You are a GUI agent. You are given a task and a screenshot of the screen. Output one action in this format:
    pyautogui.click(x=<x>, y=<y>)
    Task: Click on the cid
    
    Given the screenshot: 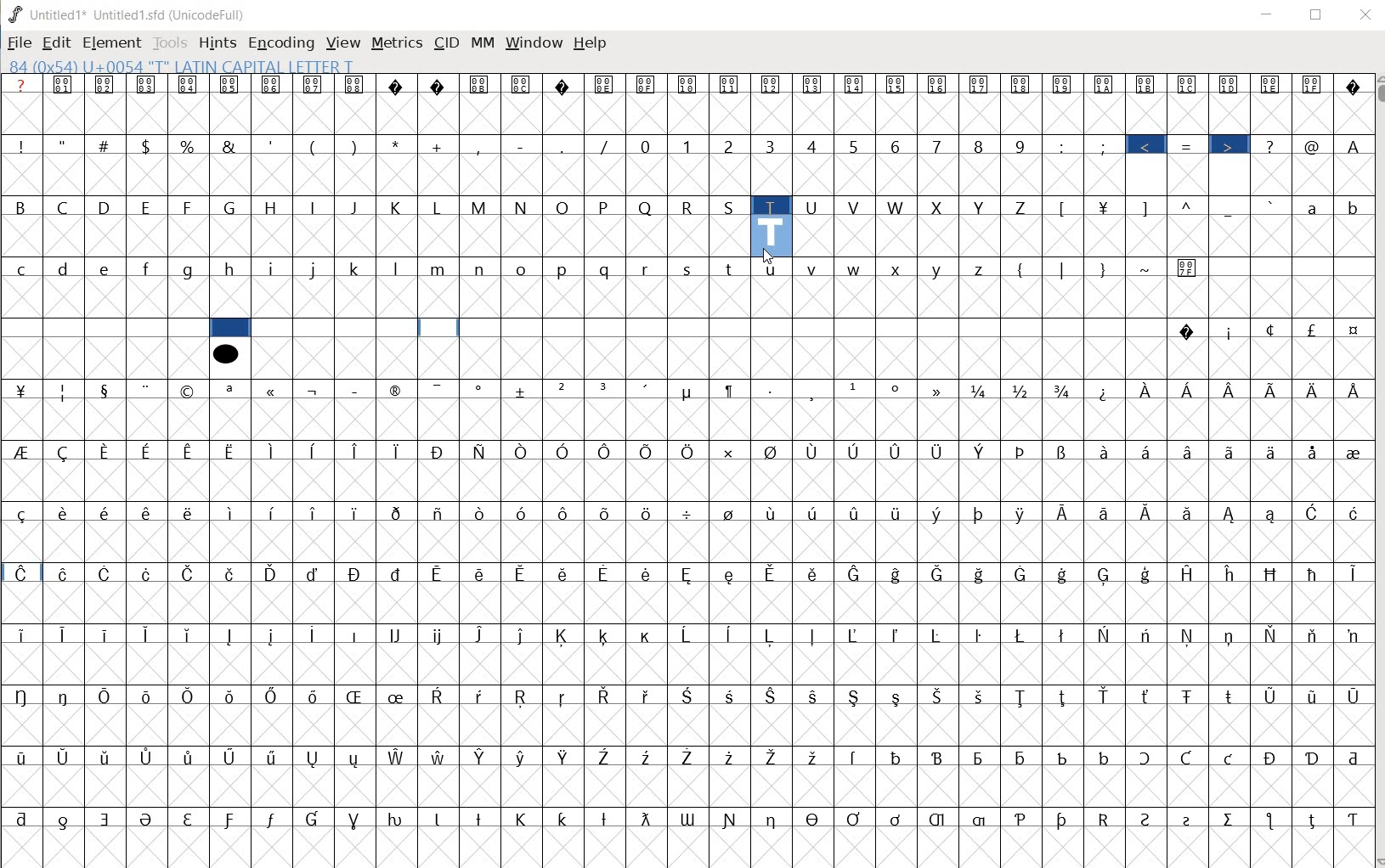 What is the action you would take?
    pyautogui.click(x=444, y=46)
    